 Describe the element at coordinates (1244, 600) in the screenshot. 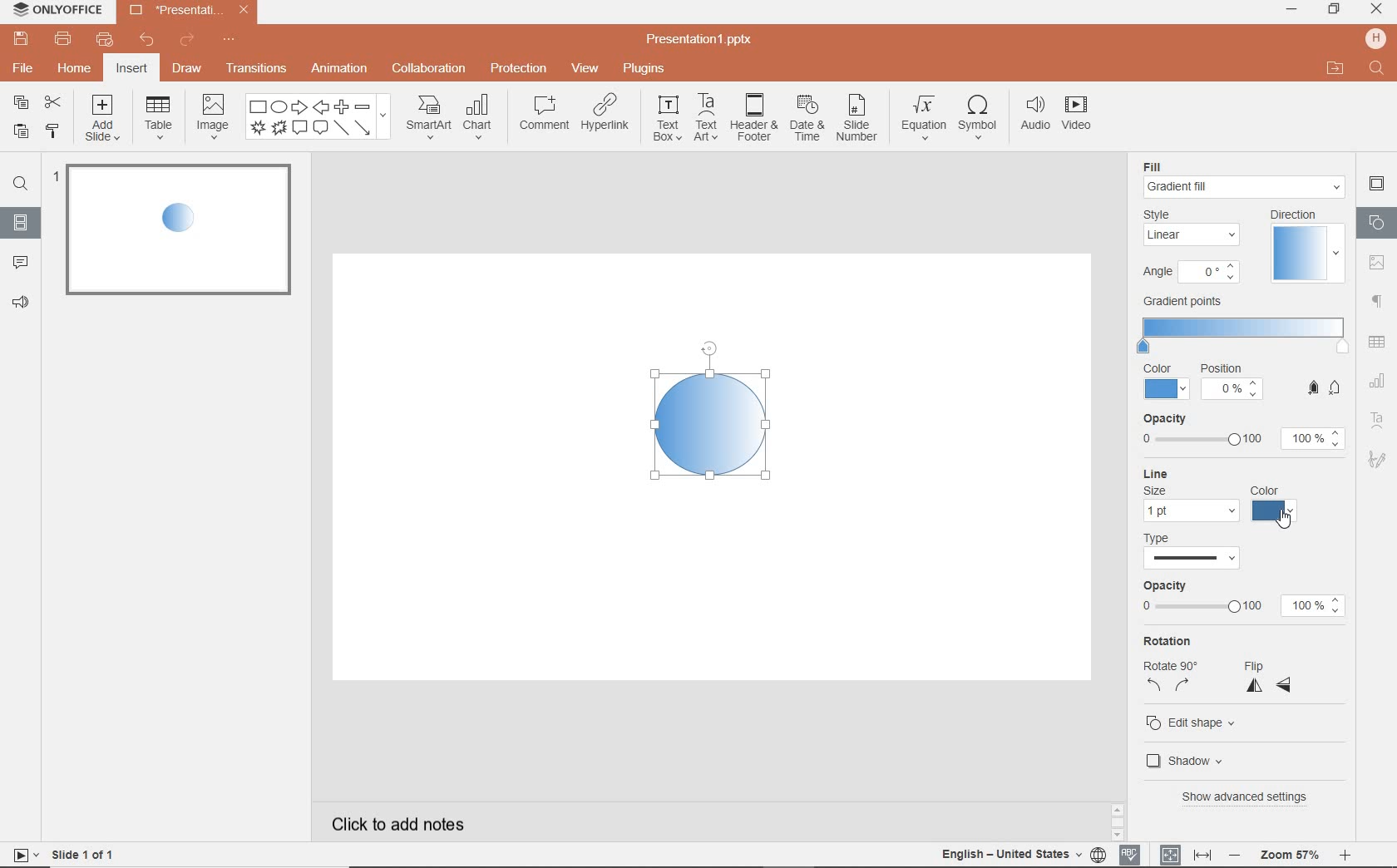

I see `OPACITY` at that location.